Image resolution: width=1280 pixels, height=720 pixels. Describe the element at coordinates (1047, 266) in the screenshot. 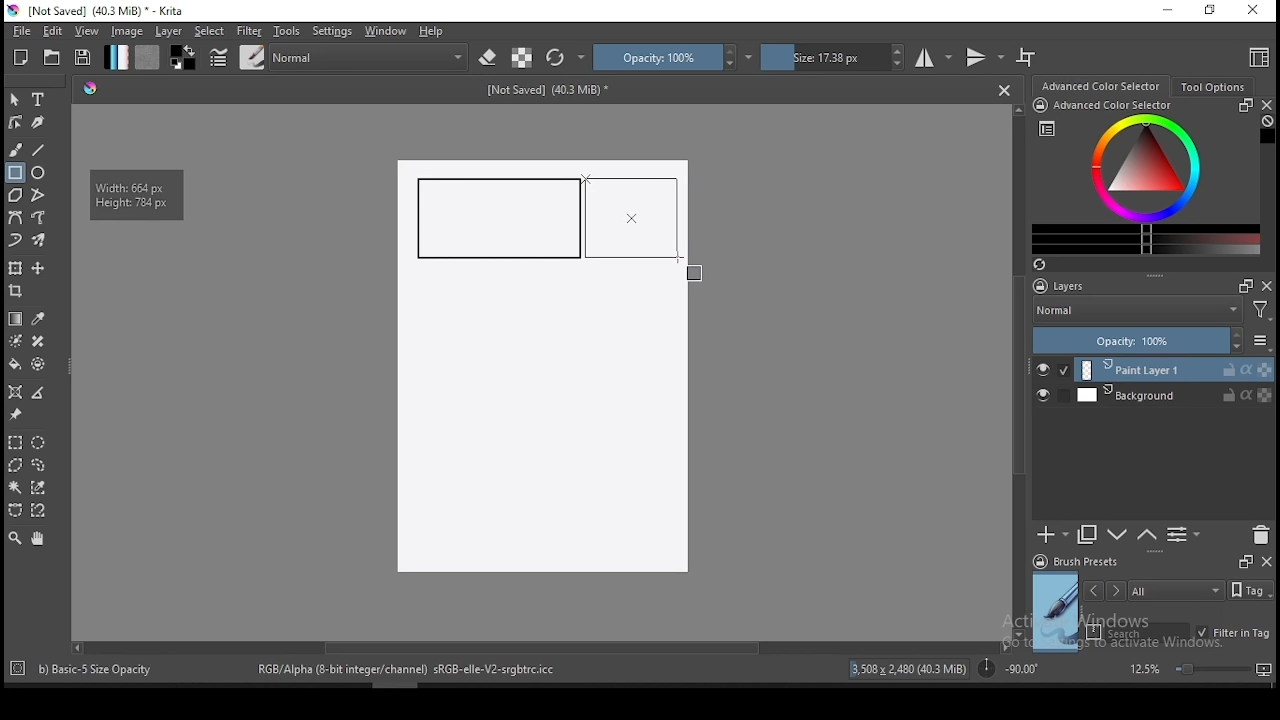

I see `Refresh` at that location.